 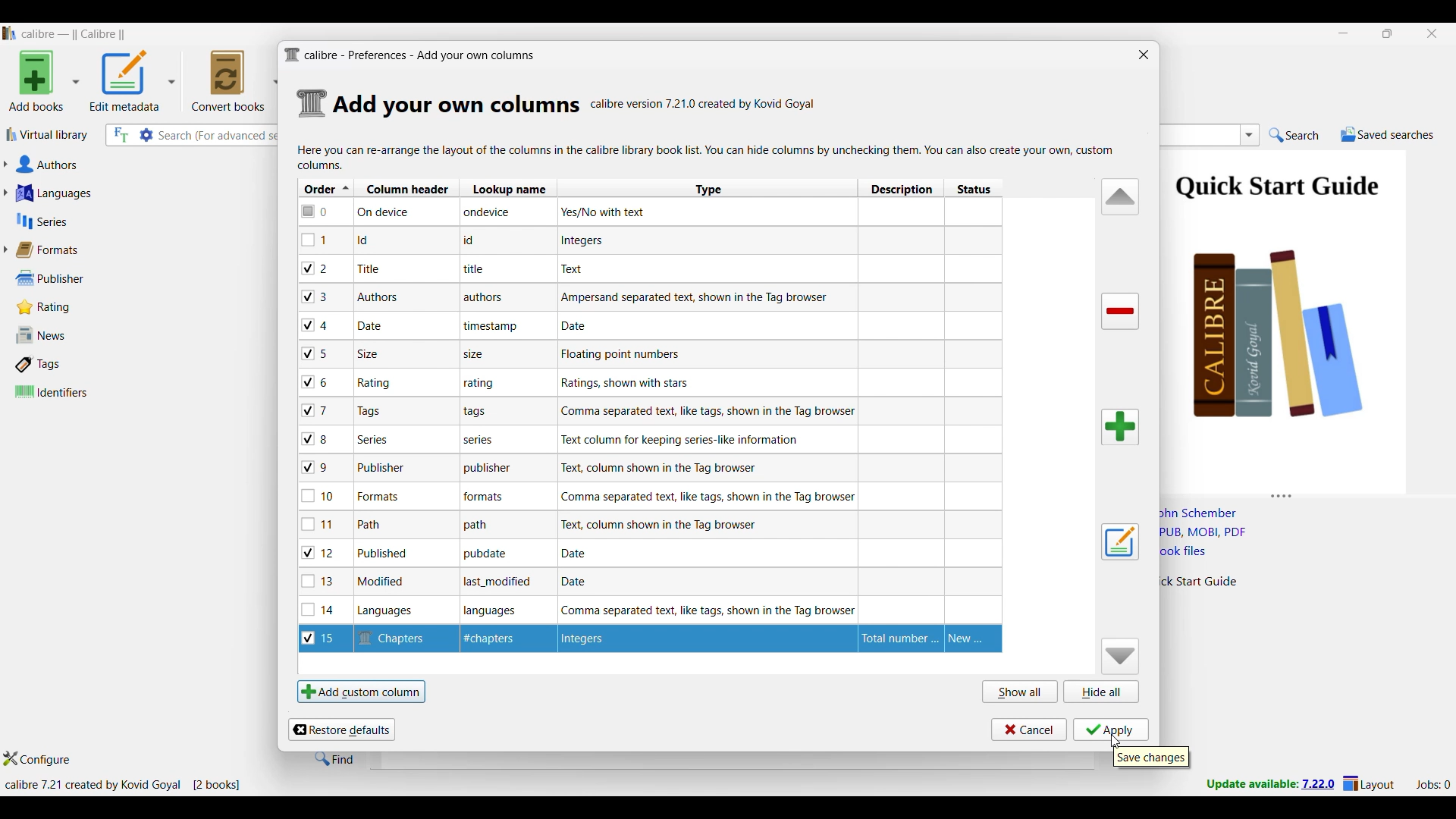 What do you see at coordinates (316, 438) in the screenshot?
I see `checkbox - 8` at bounding box center [316, 438].